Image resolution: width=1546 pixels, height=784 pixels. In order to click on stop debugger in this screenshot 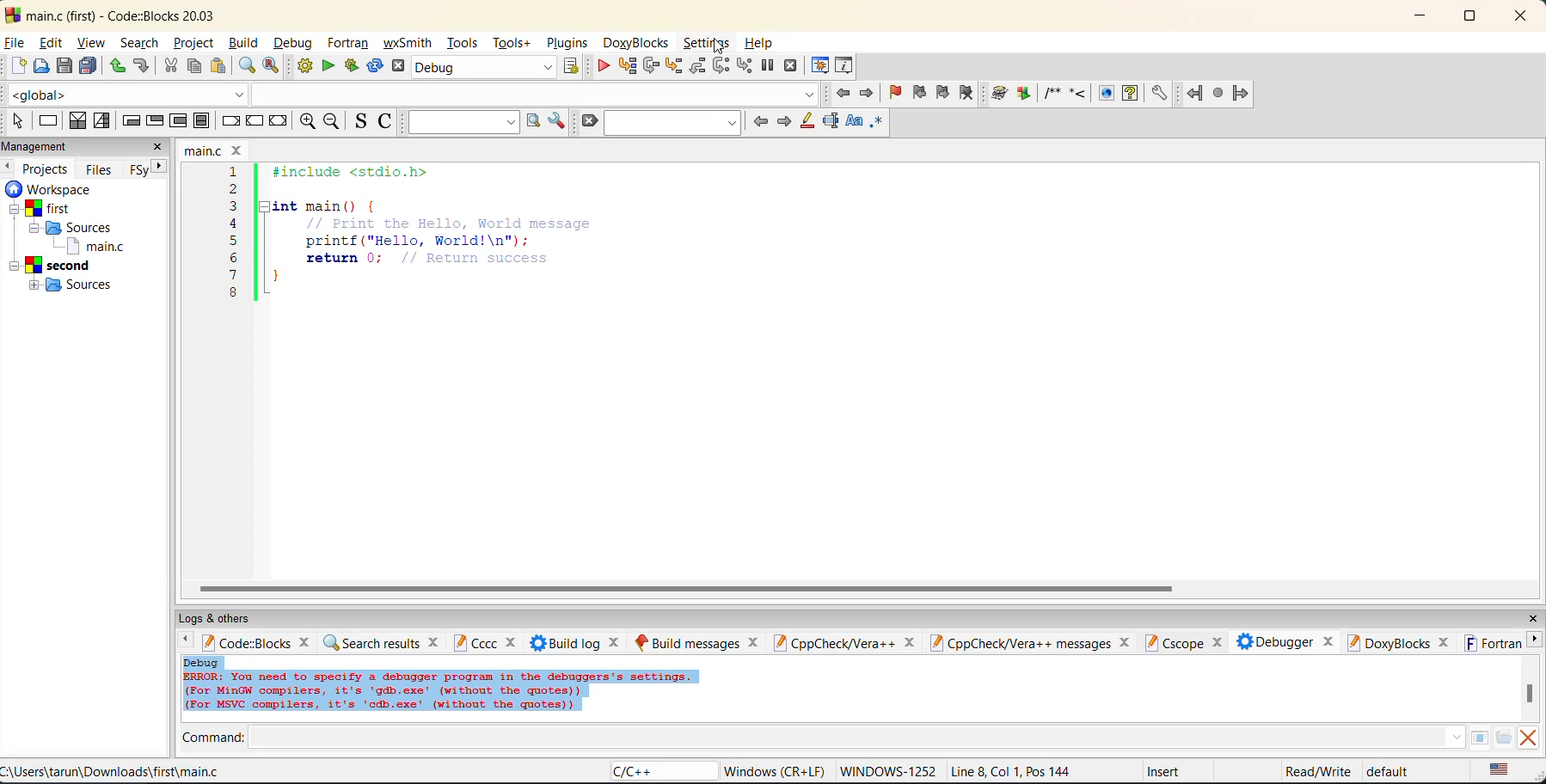, I will do `click(792, 66)`.